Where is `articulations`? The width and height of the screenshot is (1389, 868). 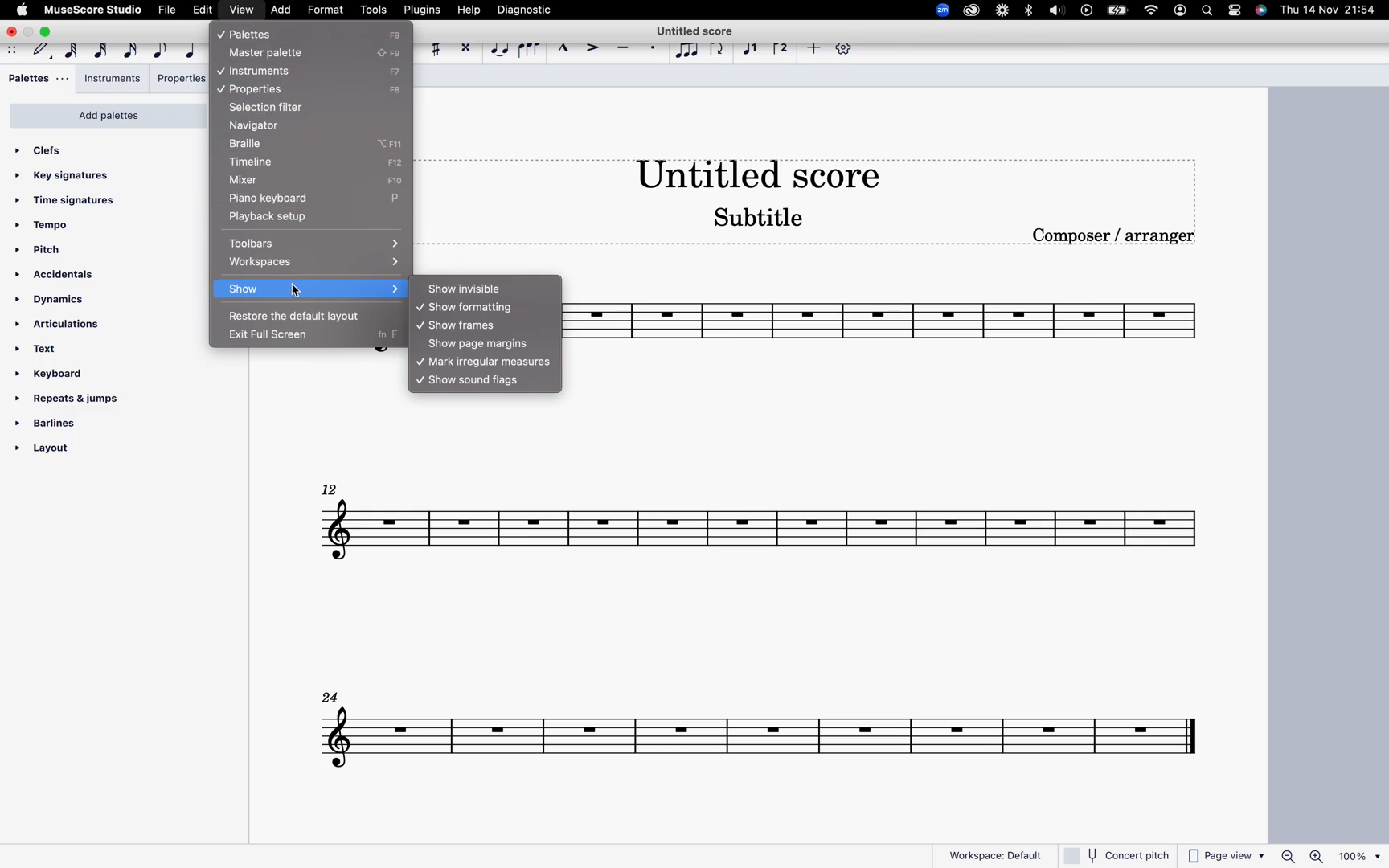
articulations is located at coordinates (64, 323).